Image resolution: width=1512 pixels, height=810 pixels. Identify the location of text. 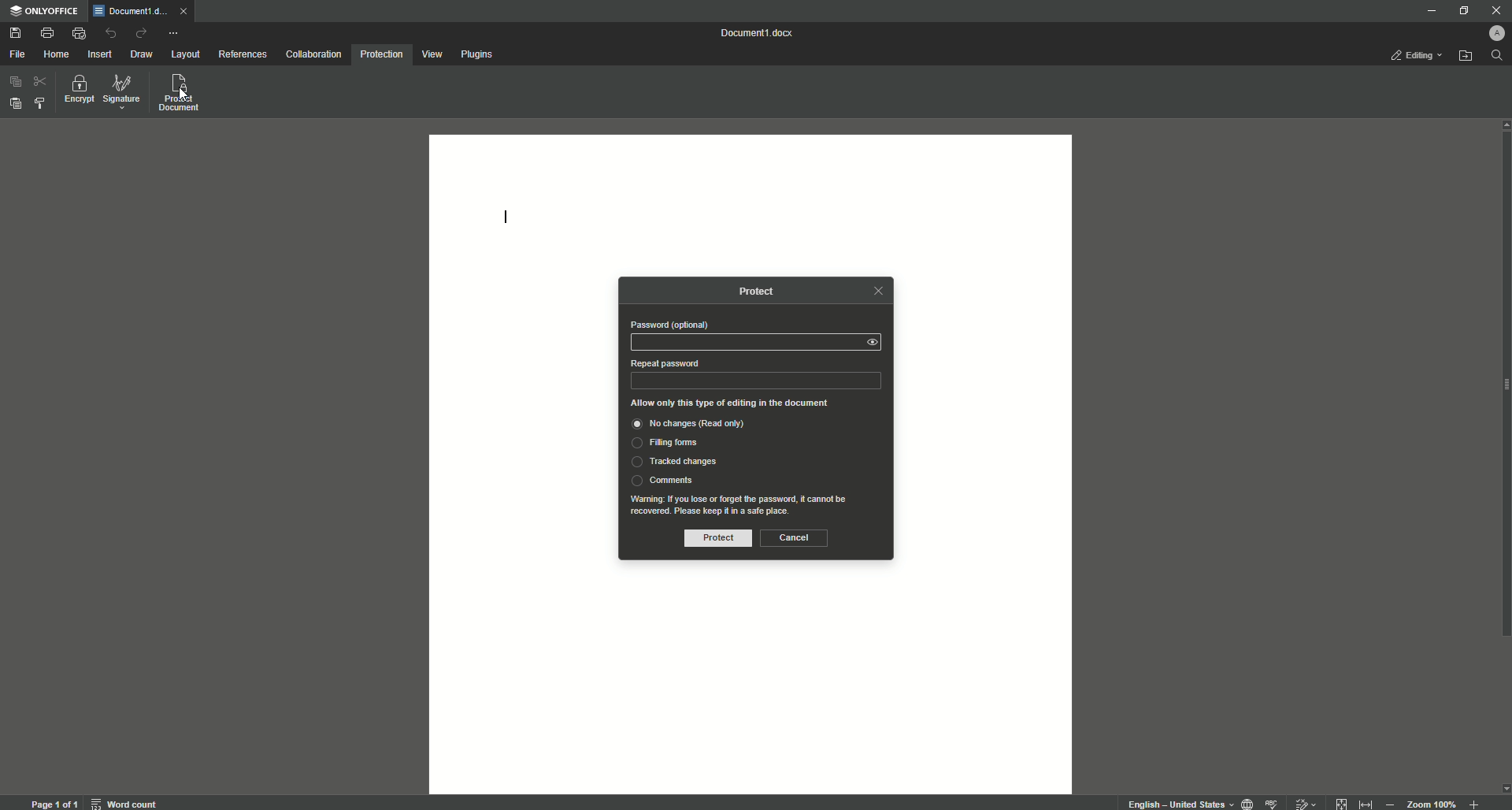
(744, 504).